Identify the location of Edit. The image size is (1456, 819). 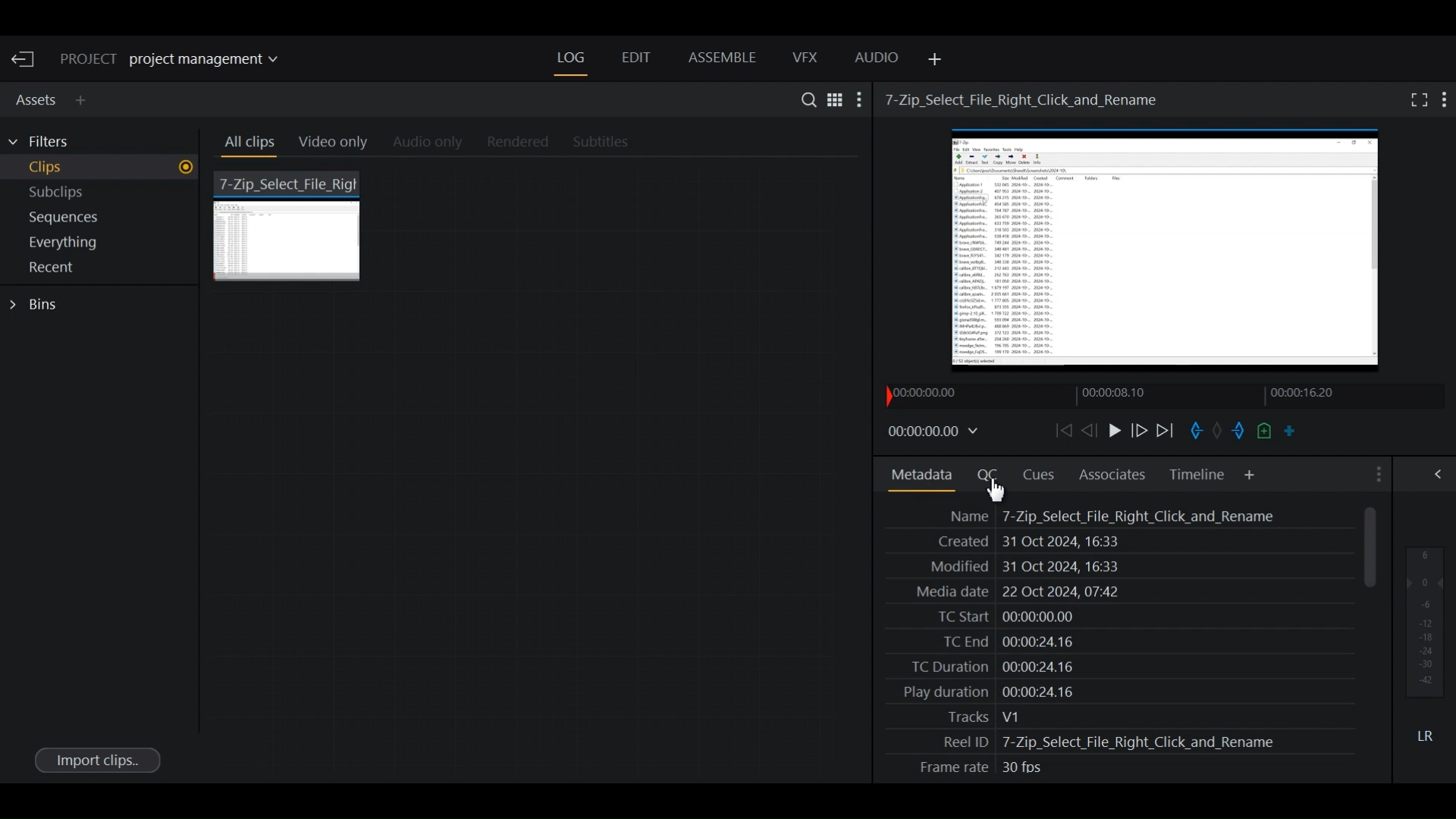
(635, 59).